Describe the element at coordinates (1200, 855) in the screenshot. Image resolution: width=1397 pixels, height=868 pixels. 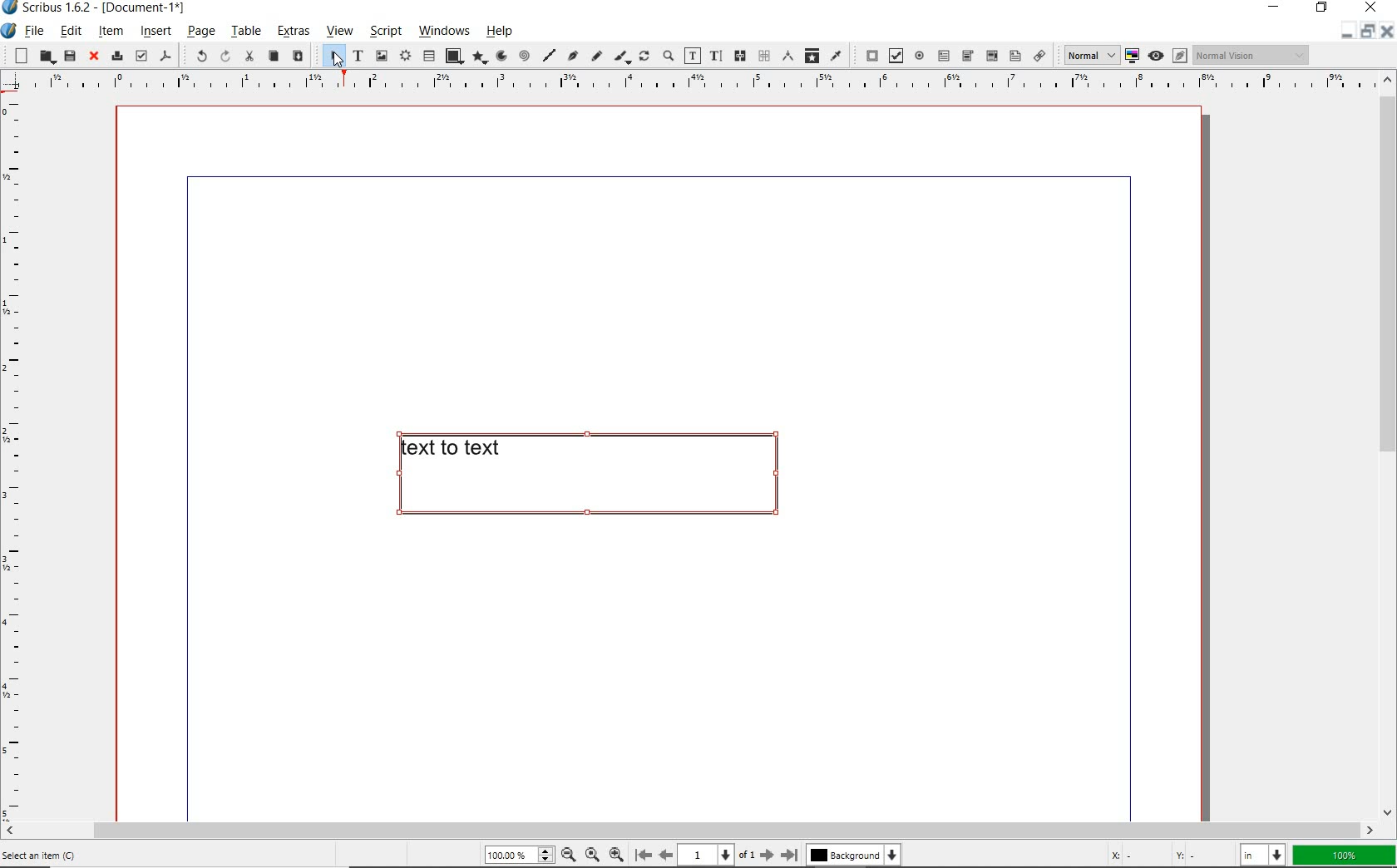
I see `Y: -` at that location.